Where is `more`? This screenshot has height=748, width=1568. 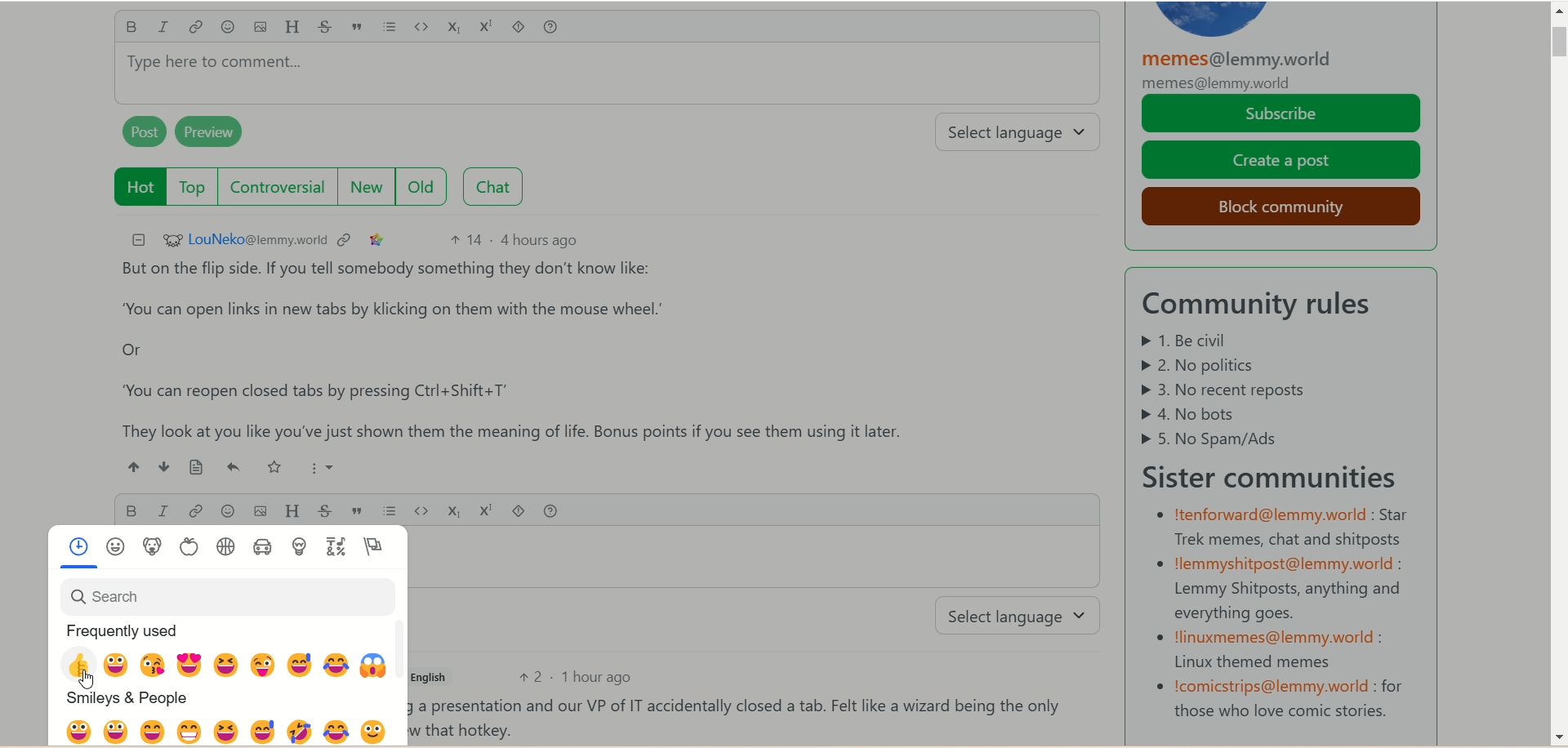
more is located at coordinates (317, 465).